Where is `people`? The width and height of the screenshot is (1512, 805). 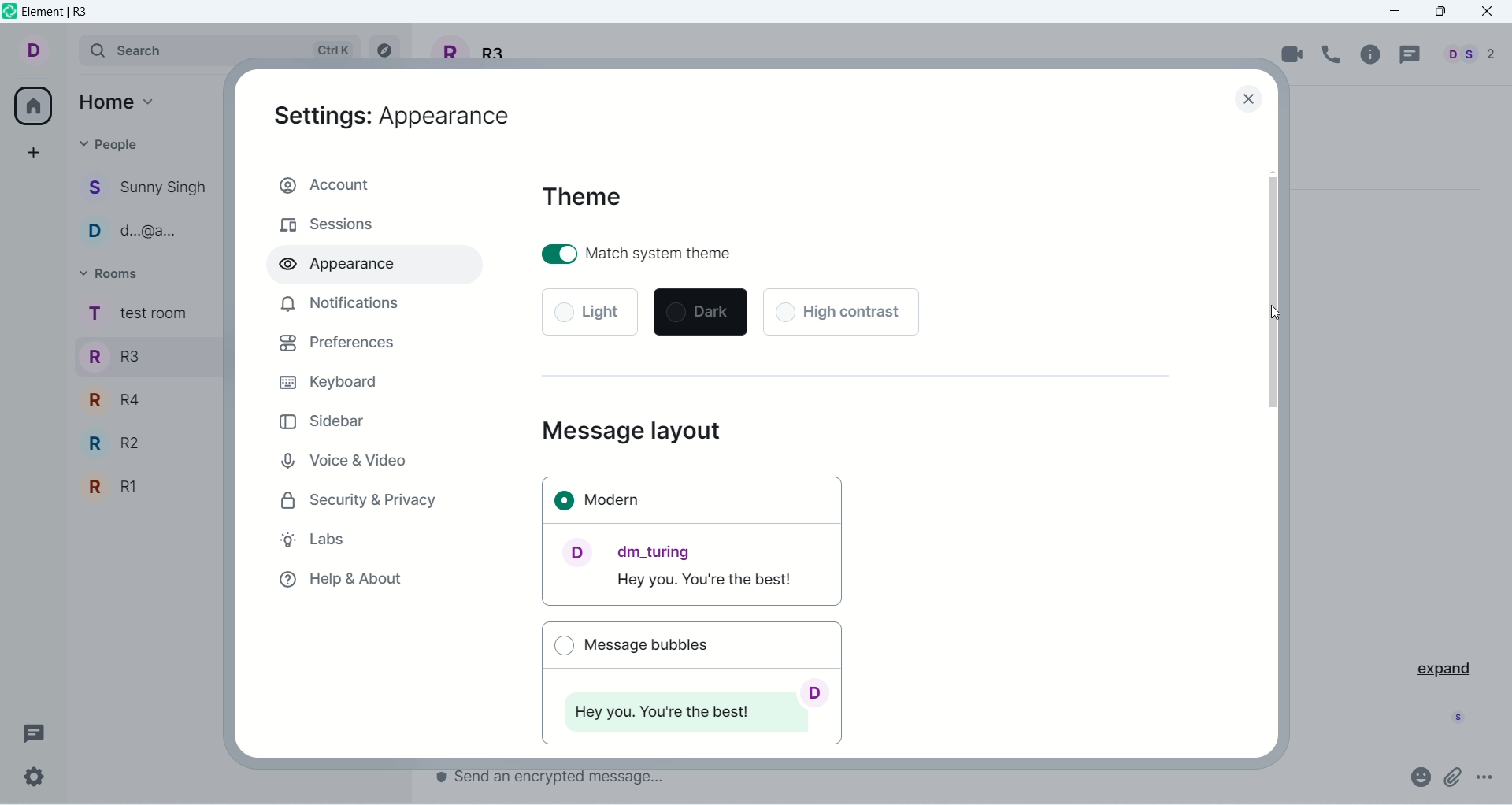
people is located at coordinates (146, 232).